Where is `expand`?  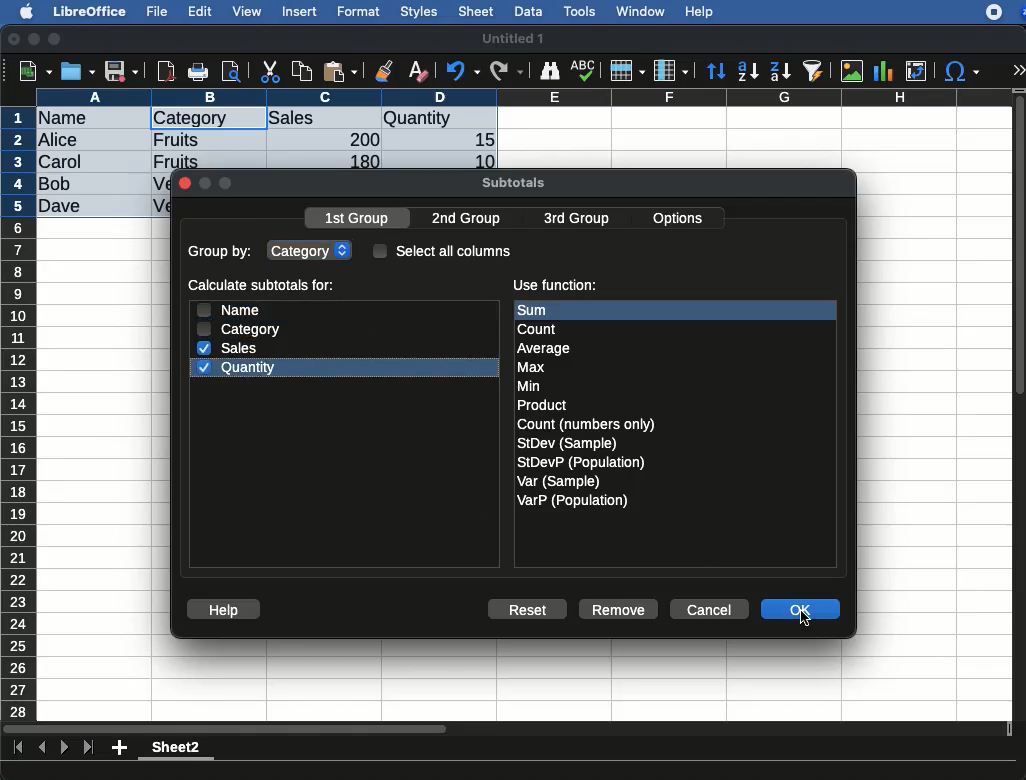 expand is located at coordinates (1018, 70).